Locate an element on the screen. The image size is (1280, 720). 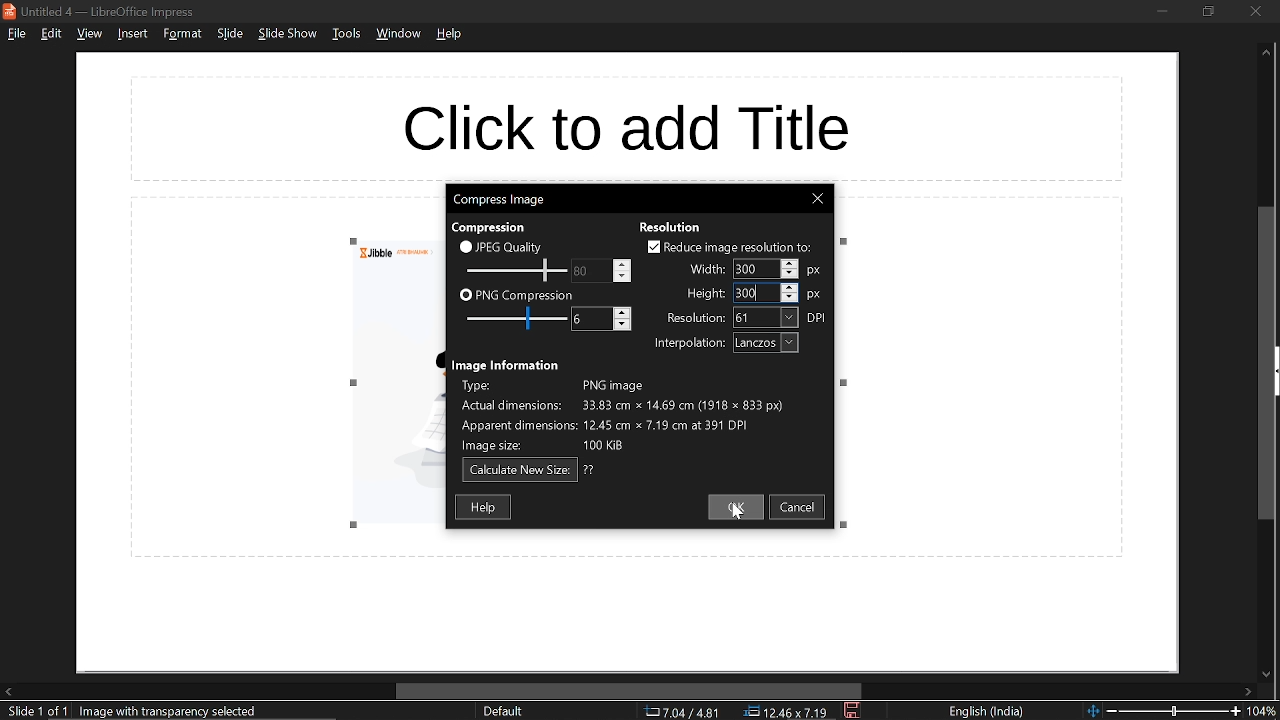
edit is located at coordinates (50, 34).